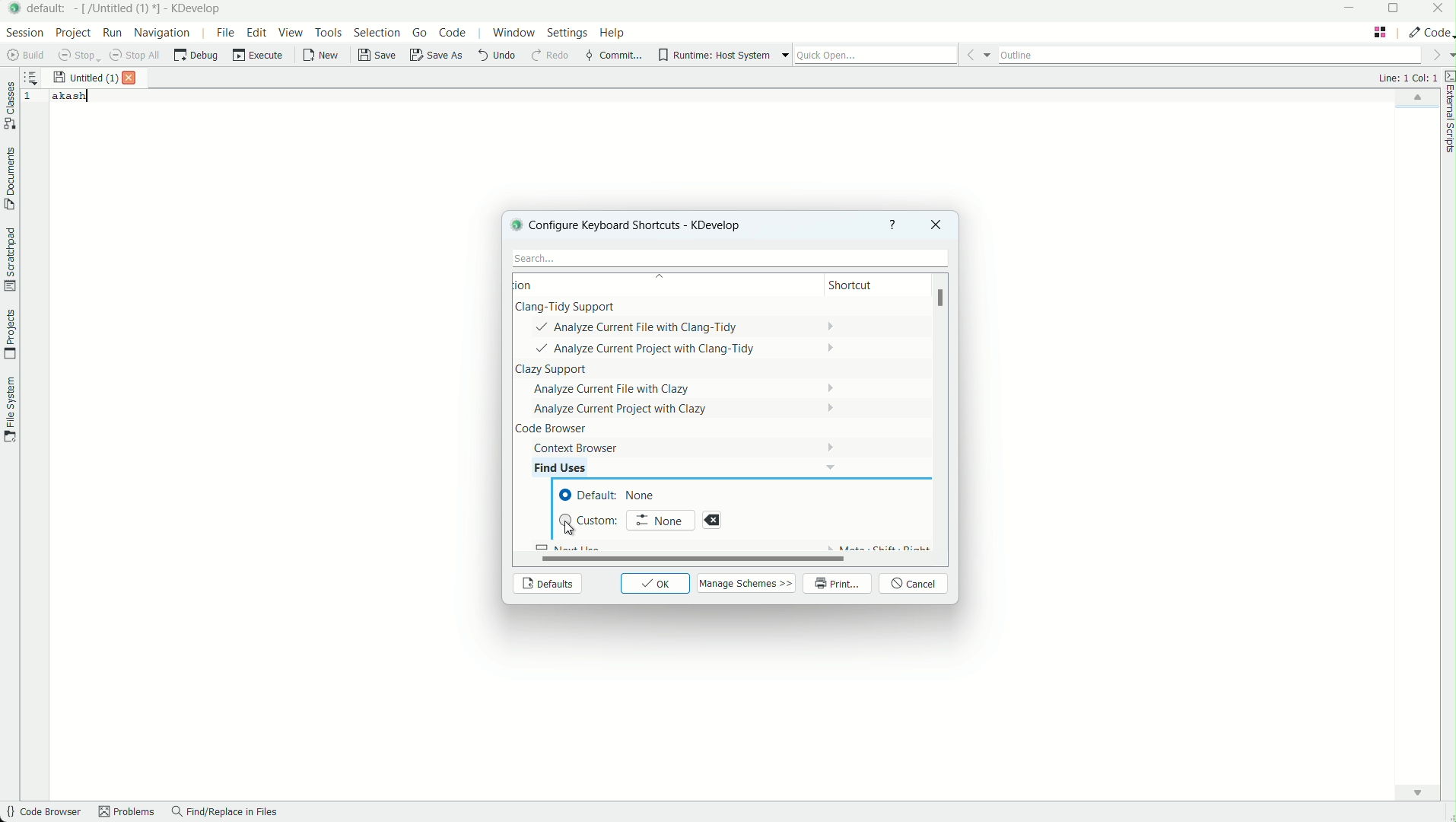 Image resolution: width=1456 pixels, height=822 pixels. I want to click on default, so click(49, 8).